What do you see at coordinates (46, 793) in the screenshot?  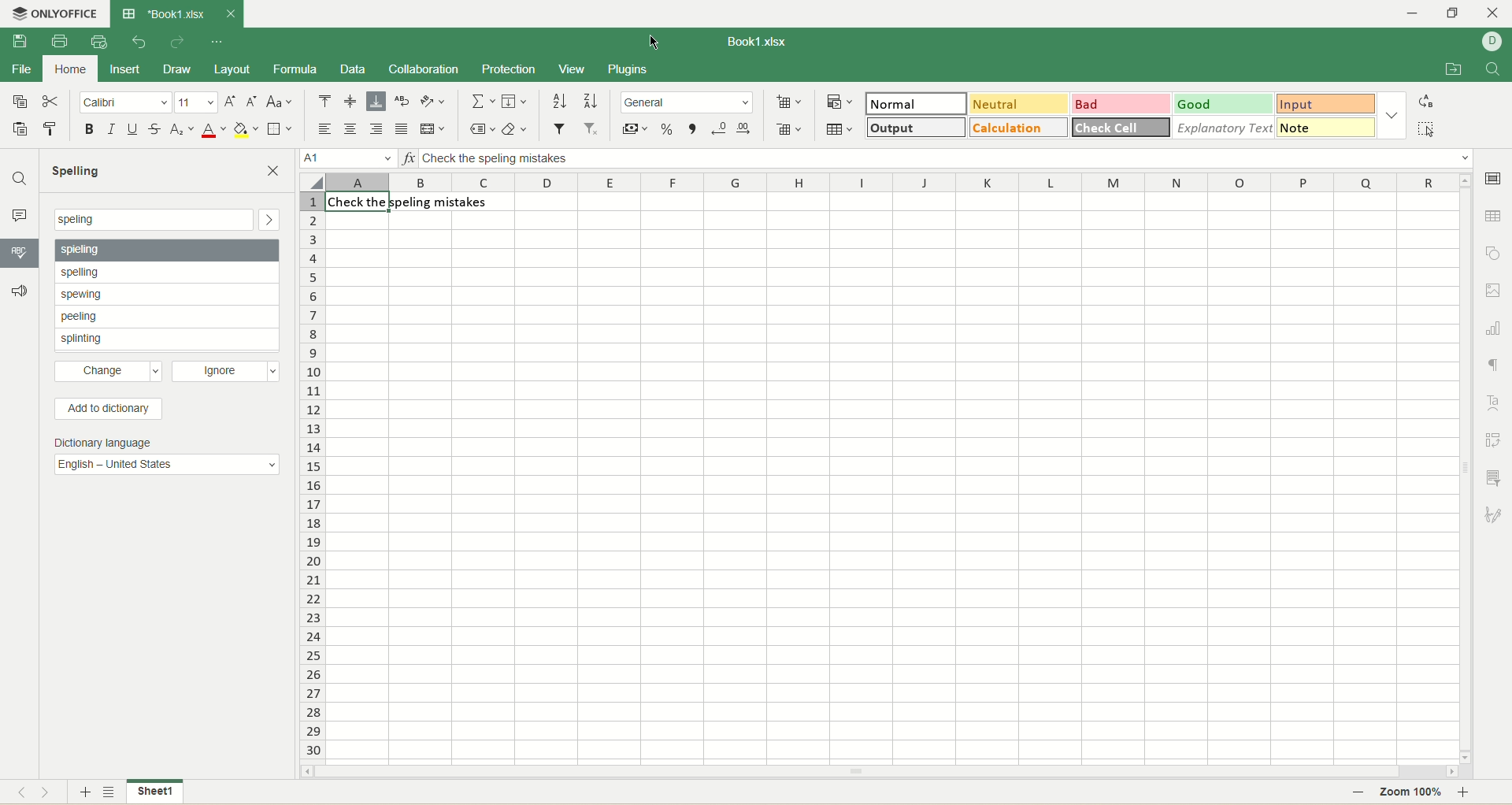 I see `next` at bounding box center [46, 793].